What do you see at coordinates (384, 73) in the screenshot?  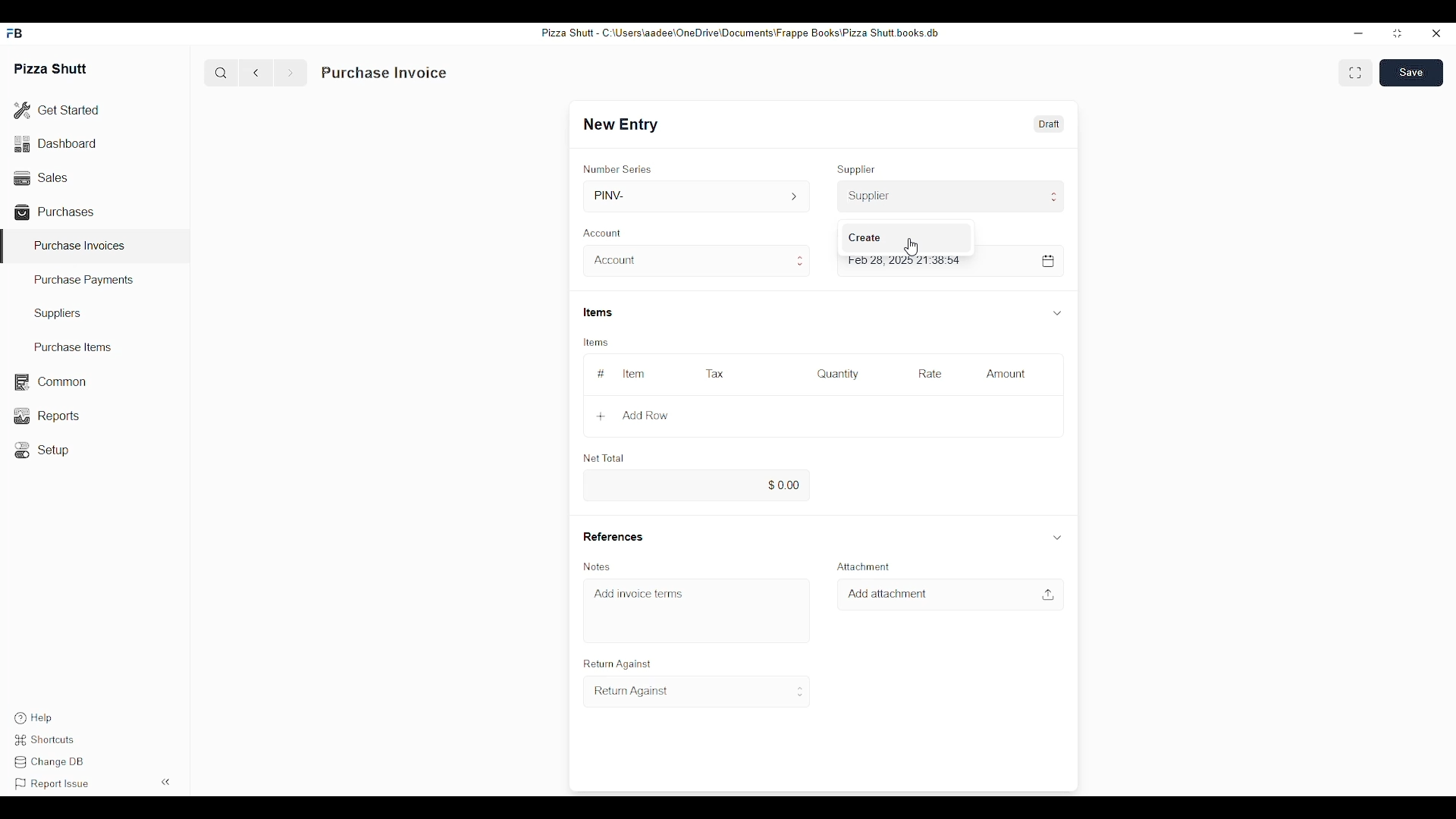 I see `Purchase Invoice` at bounding box center [384, 73].